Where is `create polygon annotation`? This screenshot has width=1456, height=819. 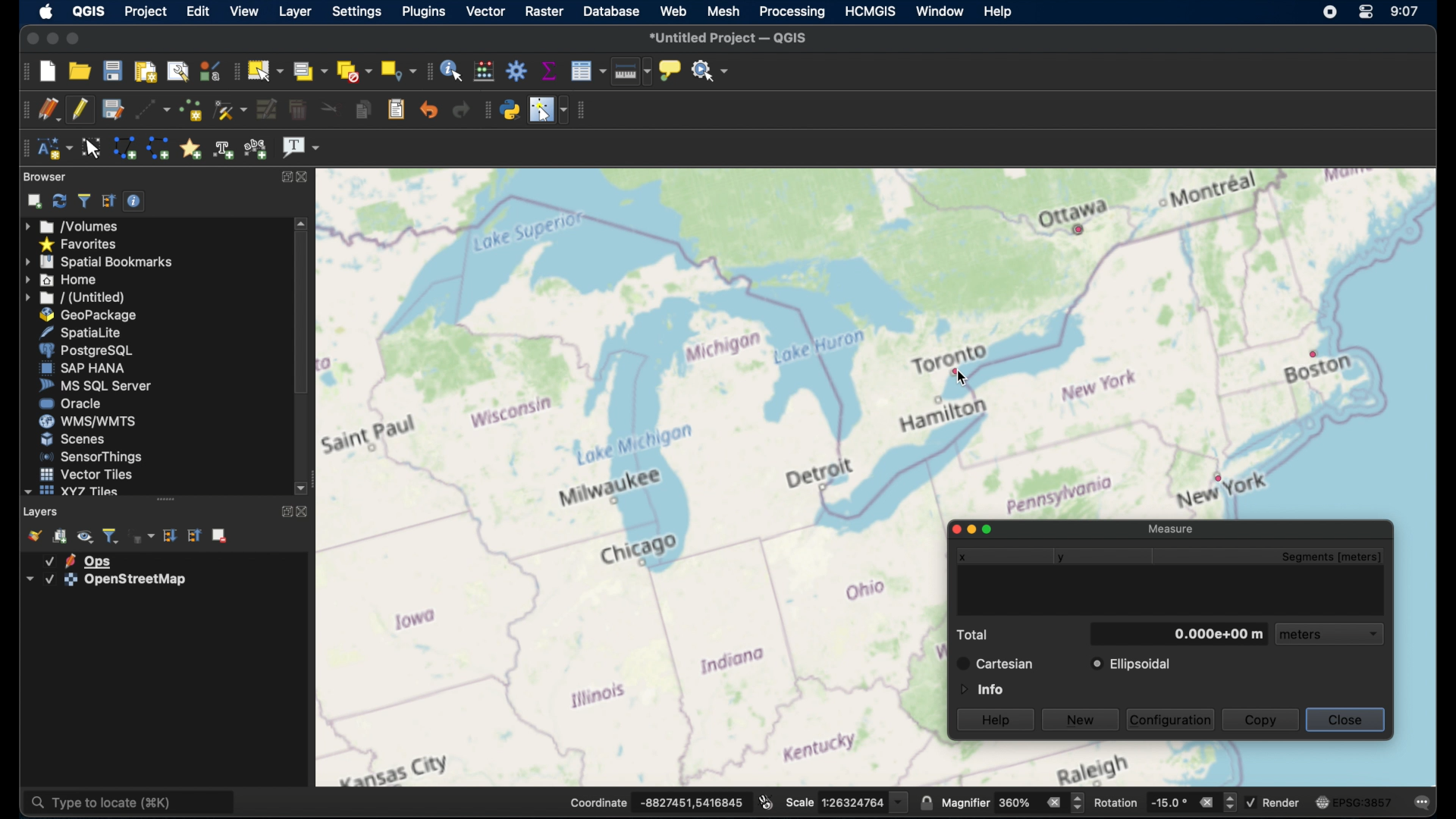 create polygon annotation is located at coordinates (124, 149).